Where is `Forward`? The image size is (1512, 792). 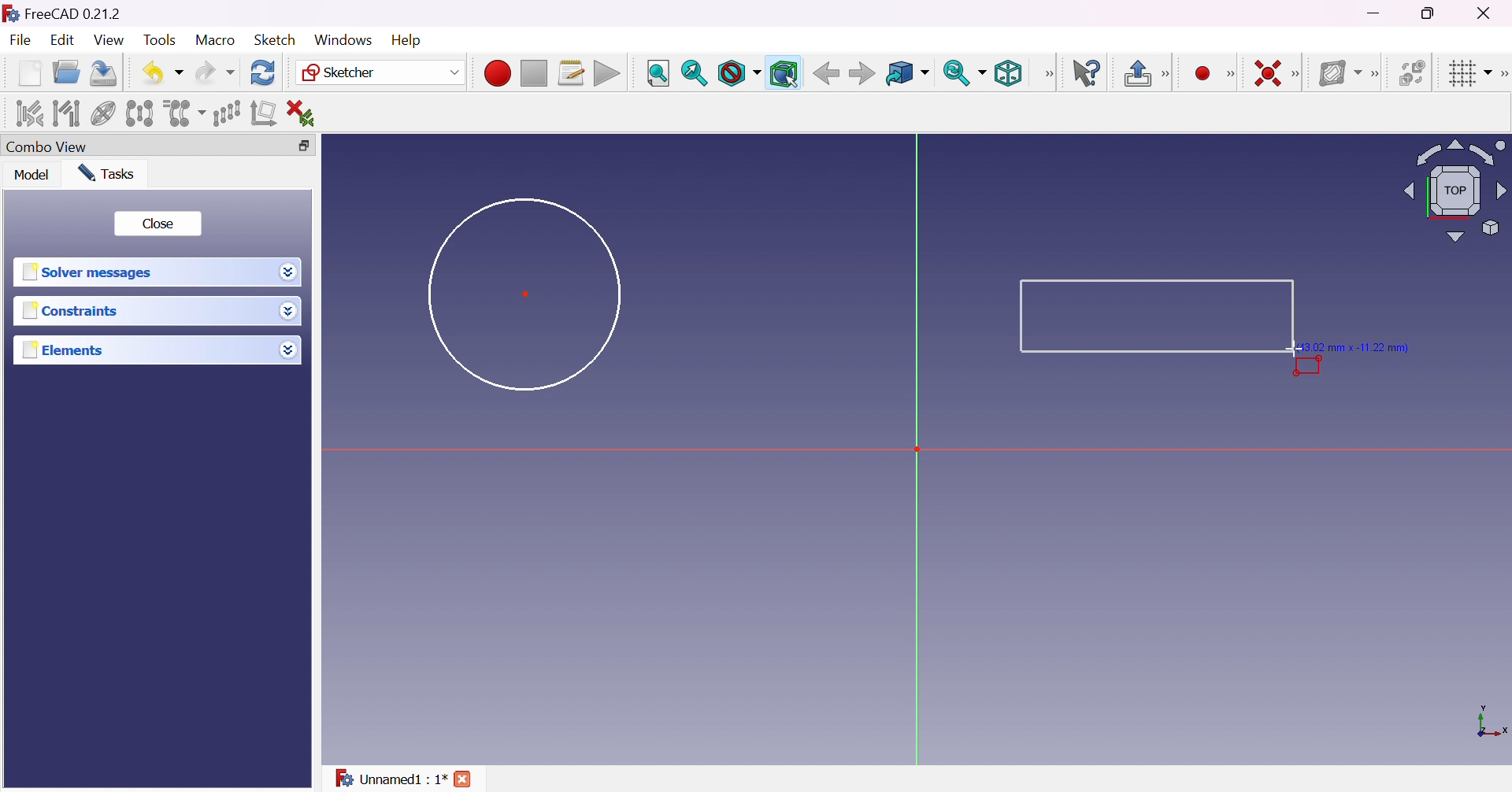
Forward is located at coordinates (862, 75).